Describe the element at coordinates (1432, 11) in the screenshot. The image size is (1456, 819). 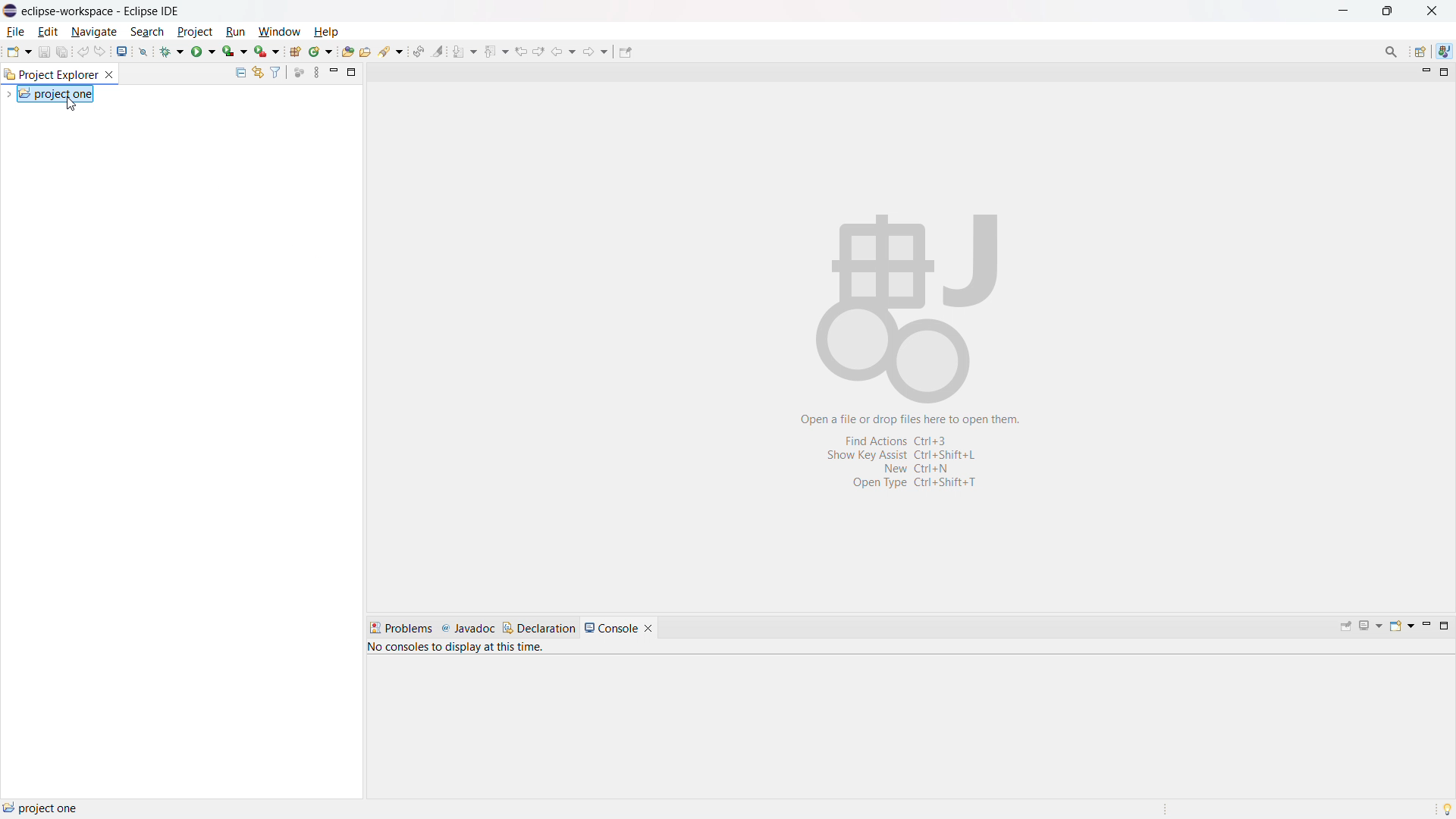
I see `close` at that location.